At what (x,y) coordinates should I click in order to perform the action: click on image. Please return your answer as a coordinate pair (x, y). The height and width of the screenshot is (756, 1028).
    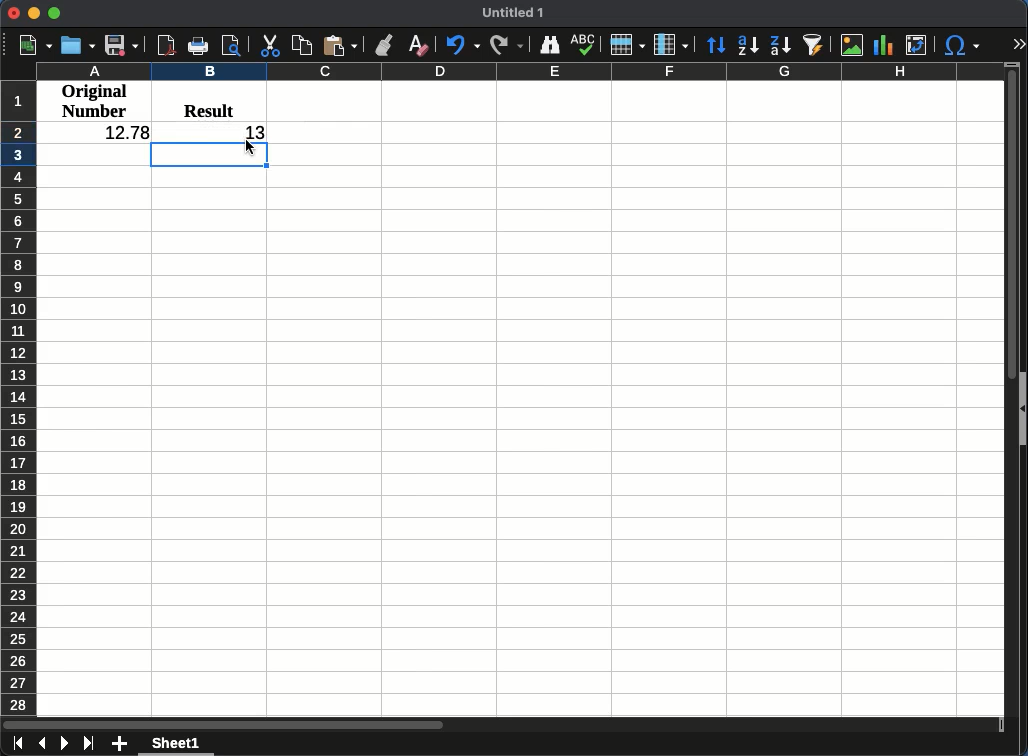
    Looking at the image, I should click on (852, 47).